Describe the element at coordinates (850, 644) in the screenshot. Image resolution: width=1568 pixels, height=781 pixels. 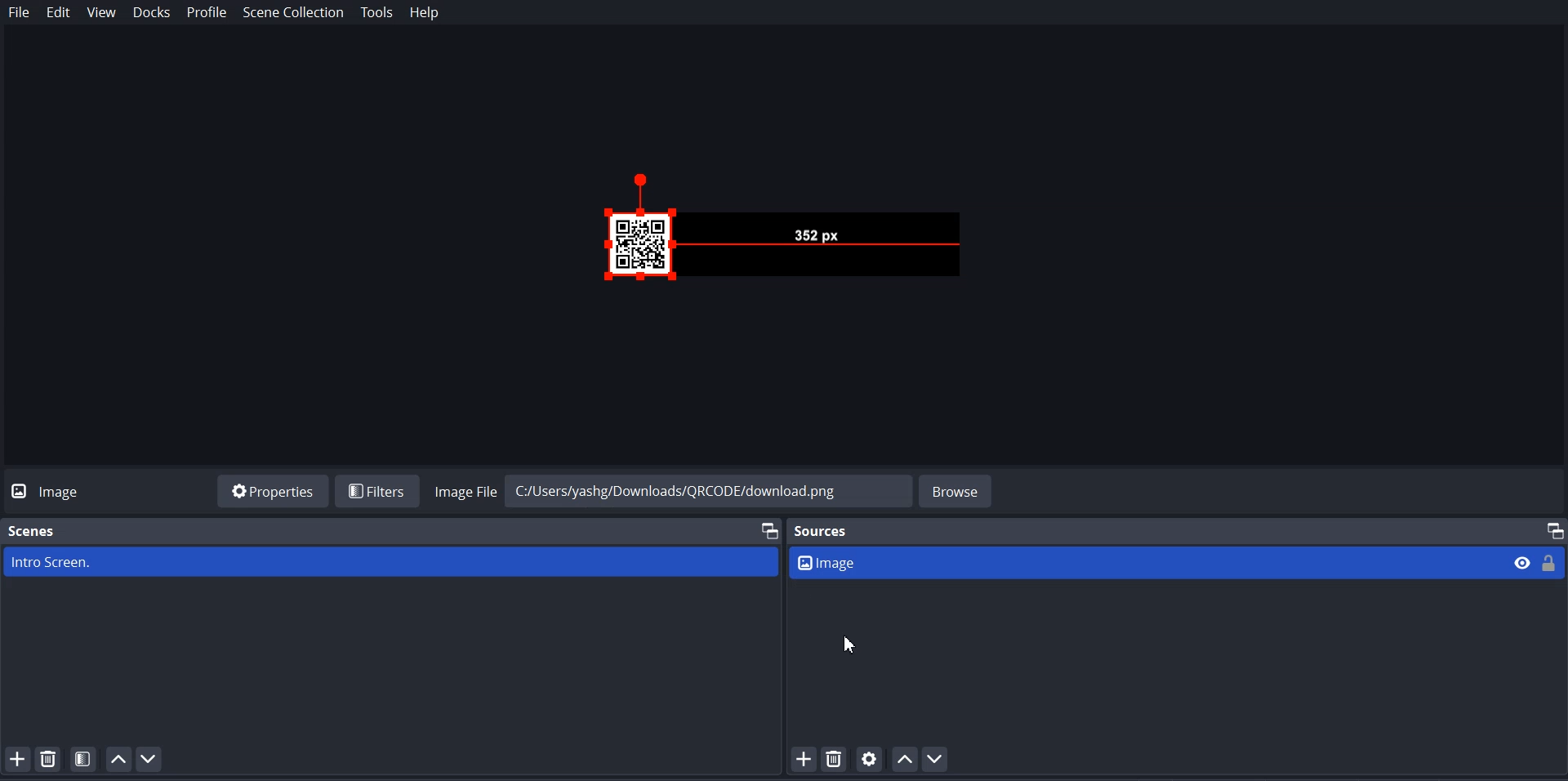
I see `Cursor` at that location.